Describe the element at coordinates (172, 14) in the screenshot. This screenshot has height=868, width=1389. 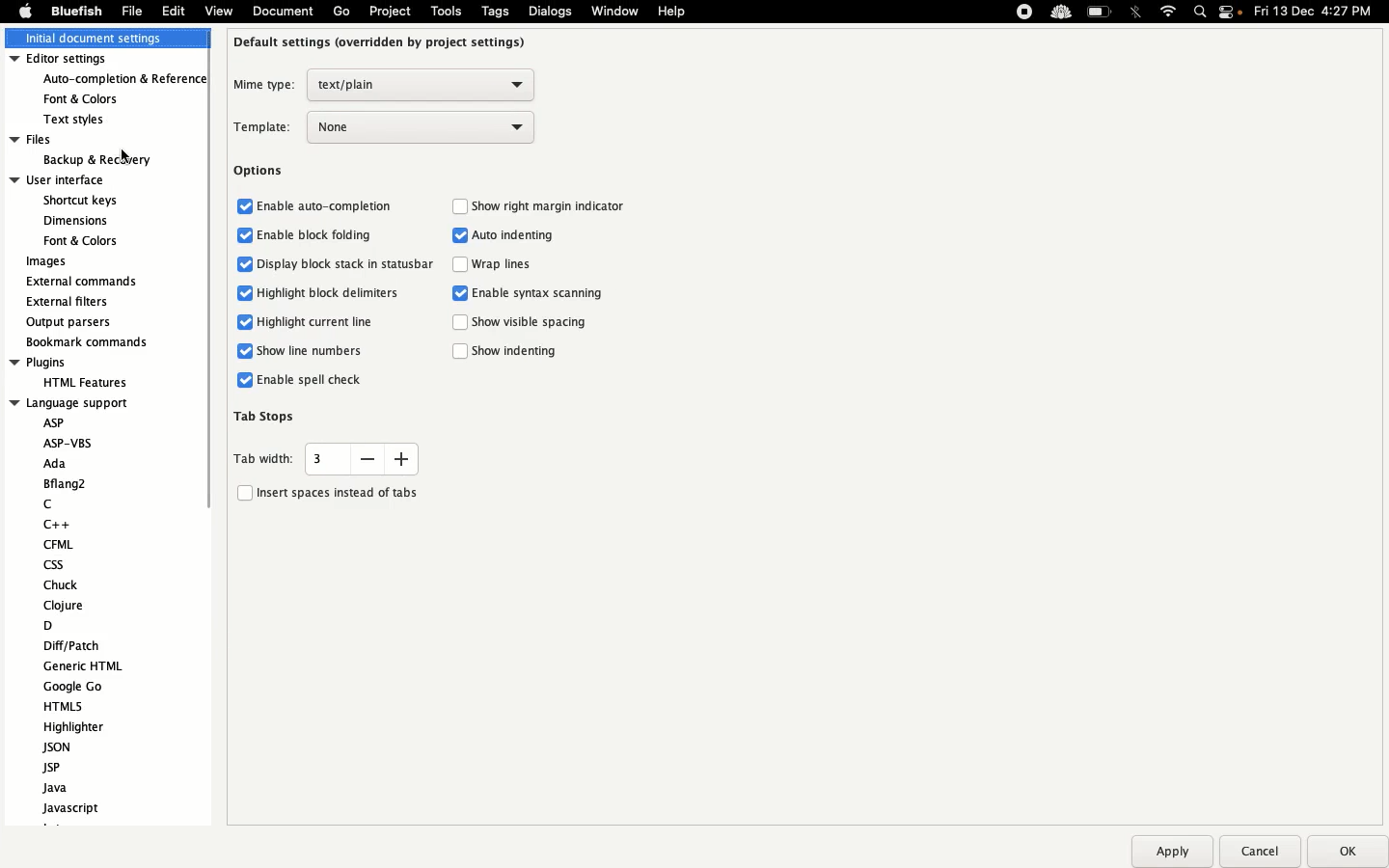
I see `Edit` at that location.